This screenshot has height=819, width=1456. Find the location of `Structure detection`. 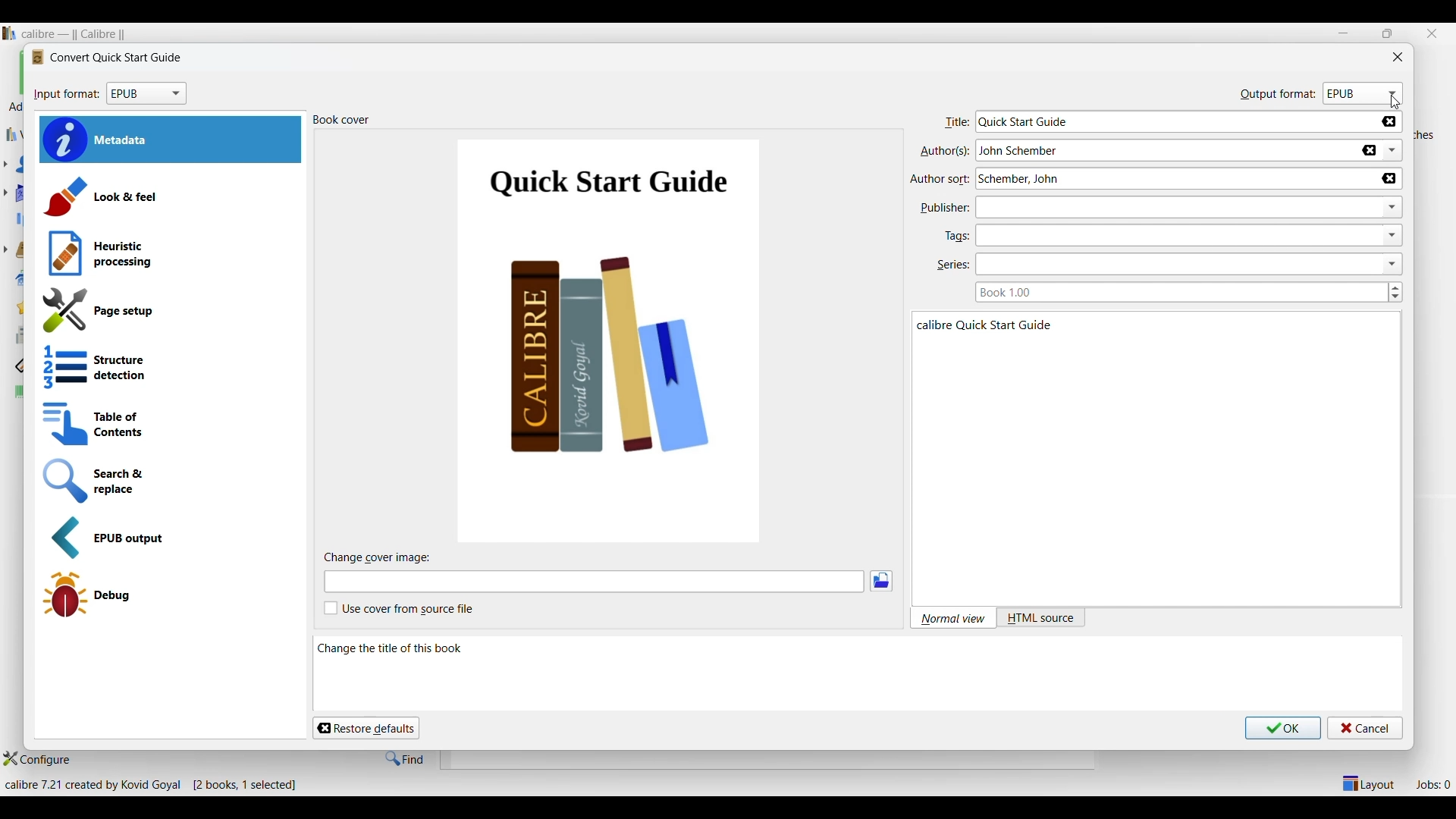

Structure detection is located at coordinates (168, 368).